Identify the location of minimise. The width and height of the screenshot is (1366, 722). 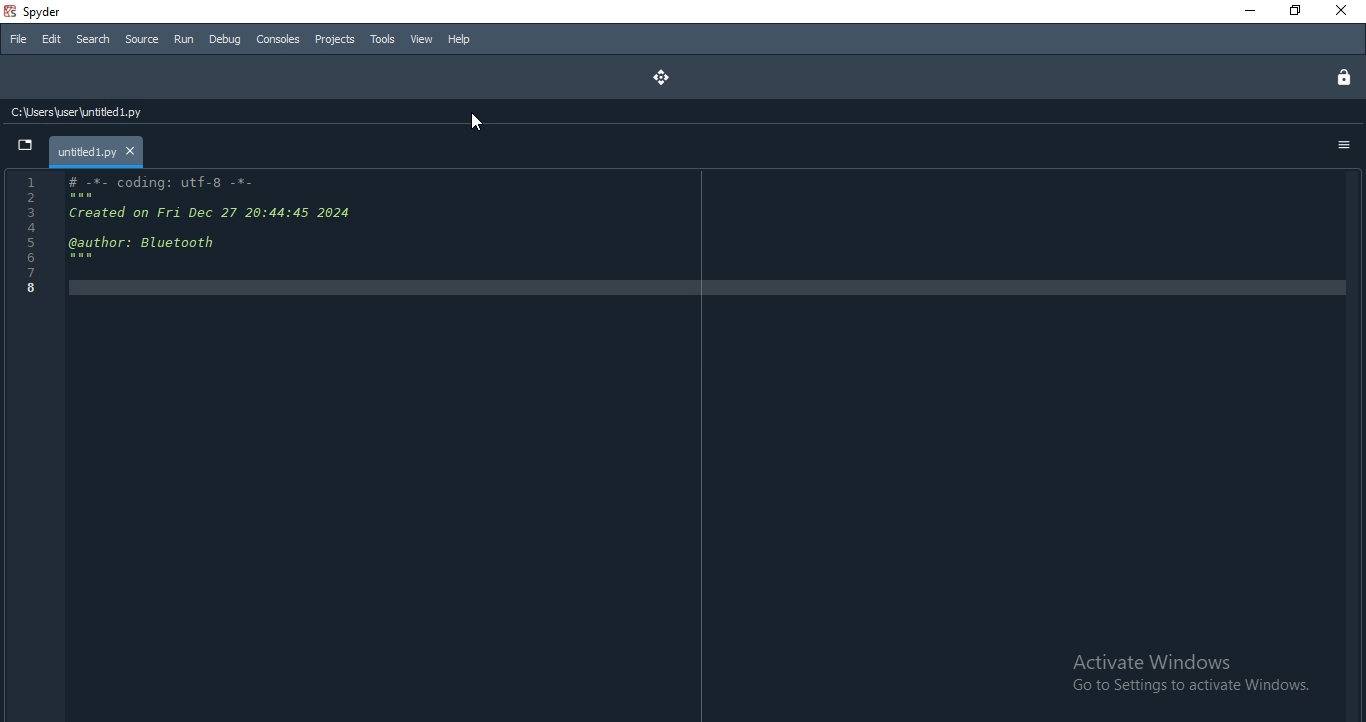
(1245, 12).